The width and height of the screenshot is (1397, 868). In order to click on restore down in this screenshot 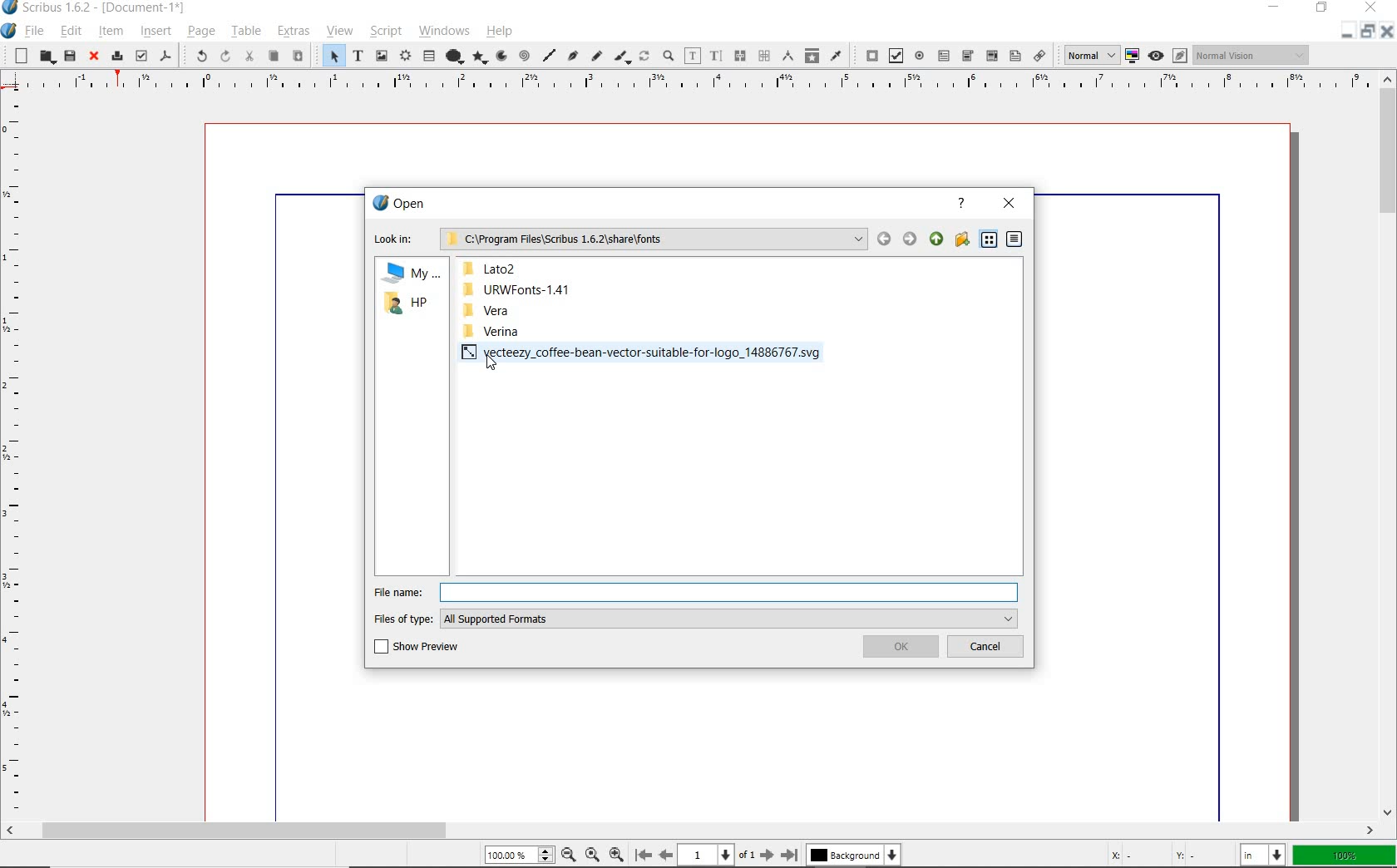, I will do `click(1348, 30)`.